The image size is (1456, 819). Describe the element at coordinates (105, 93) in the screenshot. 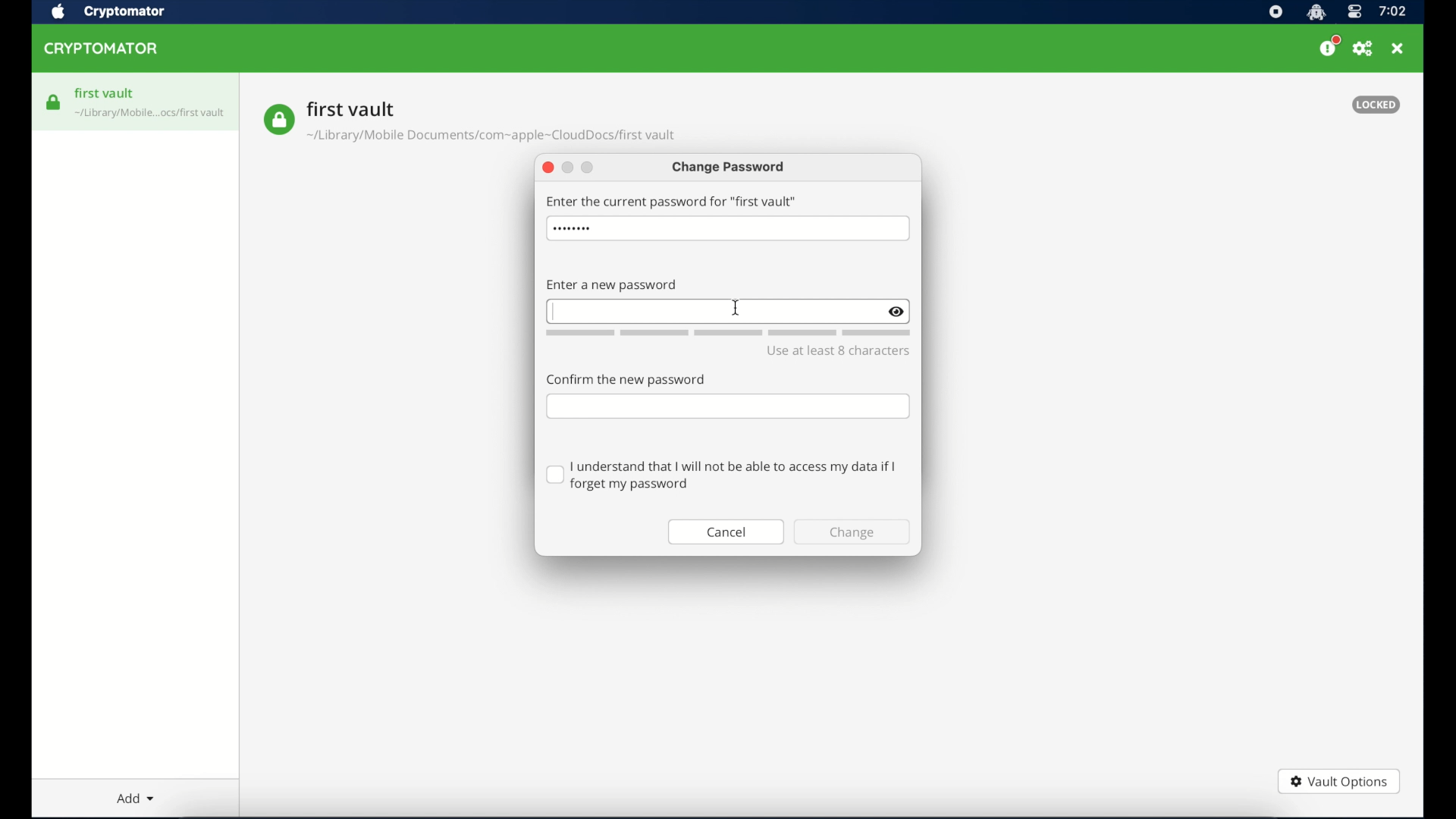

I see `first vault` at that location.